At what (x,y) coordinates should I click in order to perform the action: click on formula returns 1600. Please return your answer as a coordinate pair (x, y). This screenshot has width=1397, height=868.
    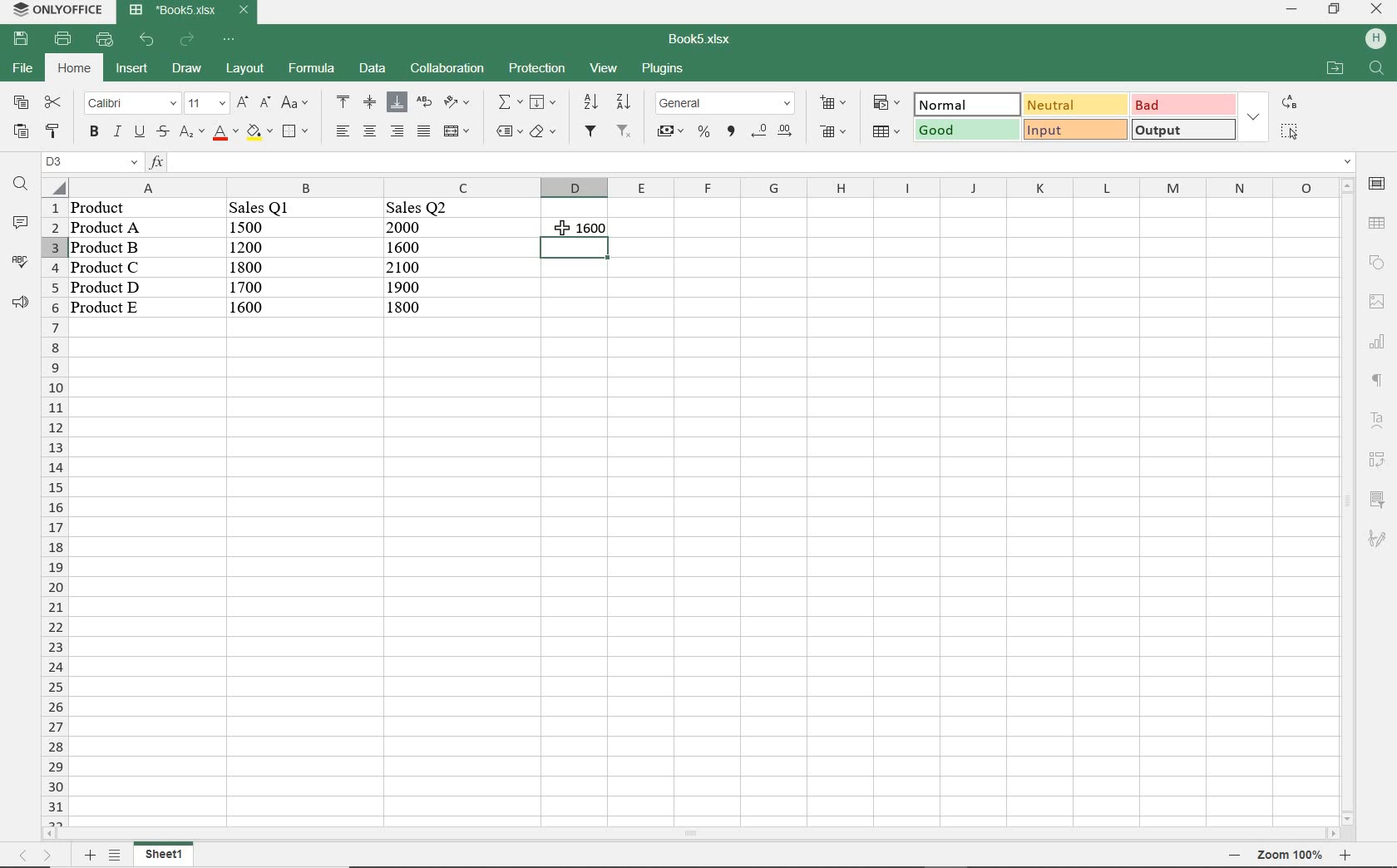
    Looking at the image, I should click on (577, 224).